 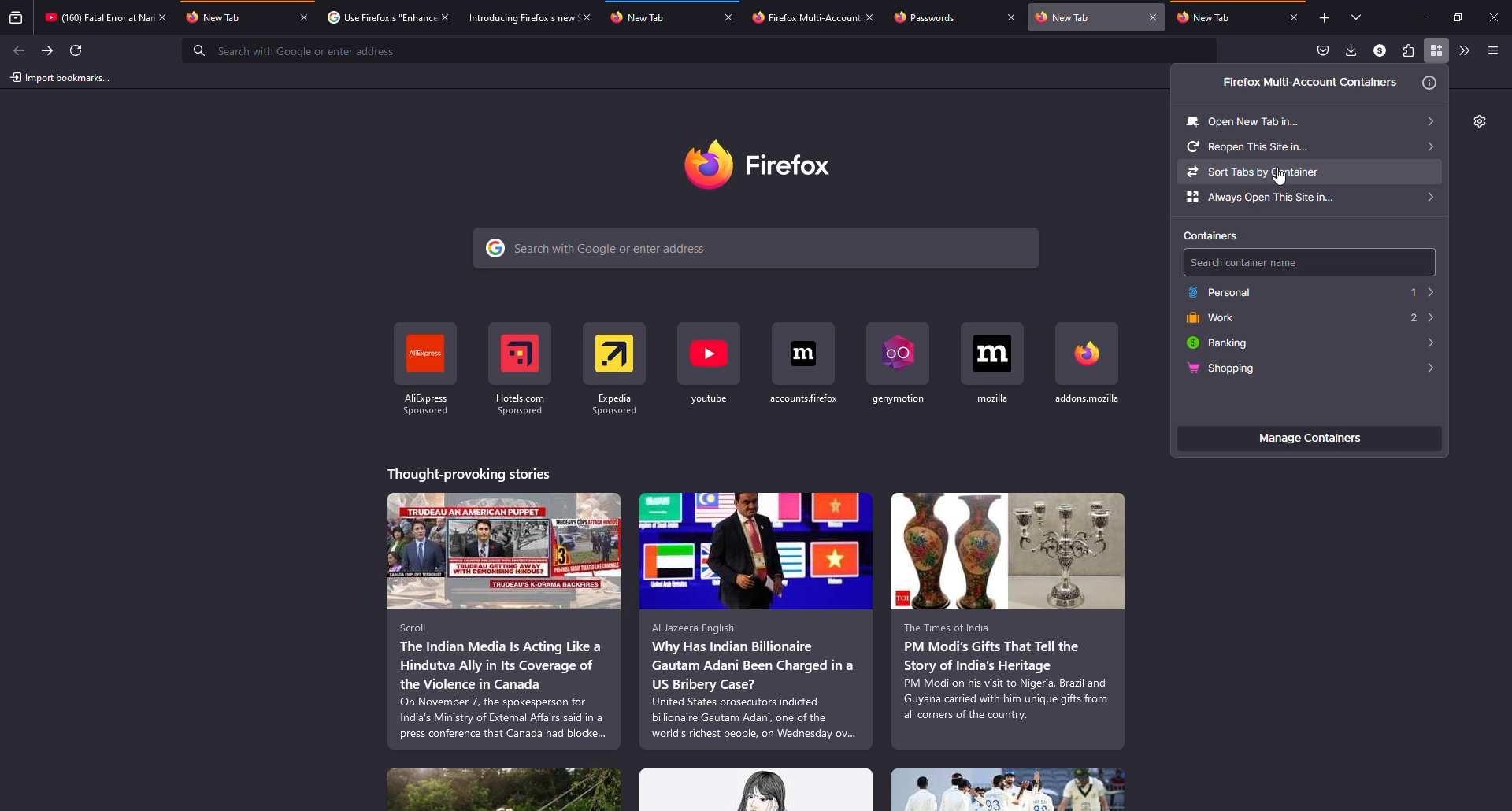 What do you see at coordinates (1222, 18) in the screenshot?
I see `tab` at bounding box center [1222, 18].